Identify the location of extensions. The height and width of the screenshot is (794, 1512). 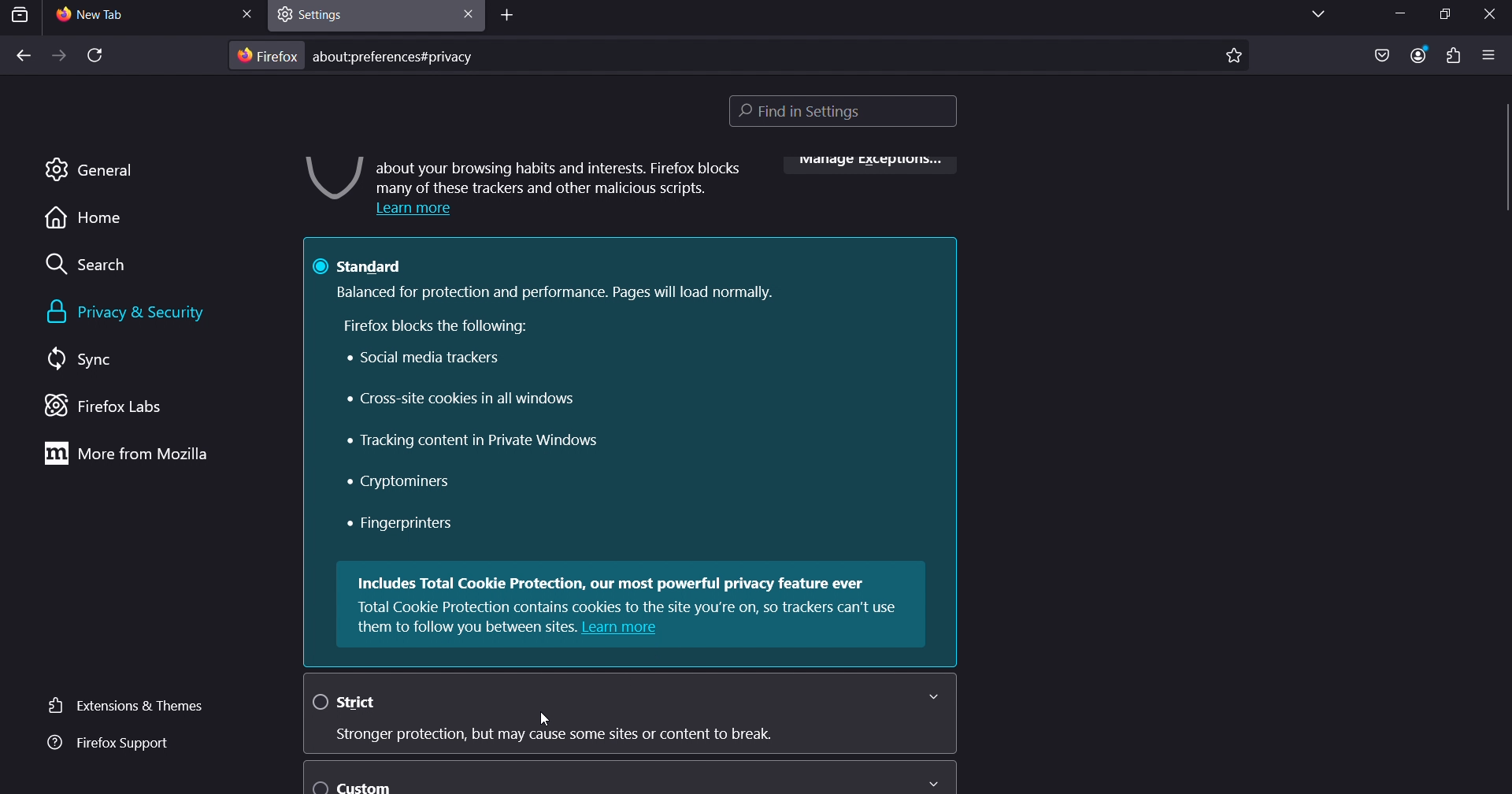
(1451, 56).